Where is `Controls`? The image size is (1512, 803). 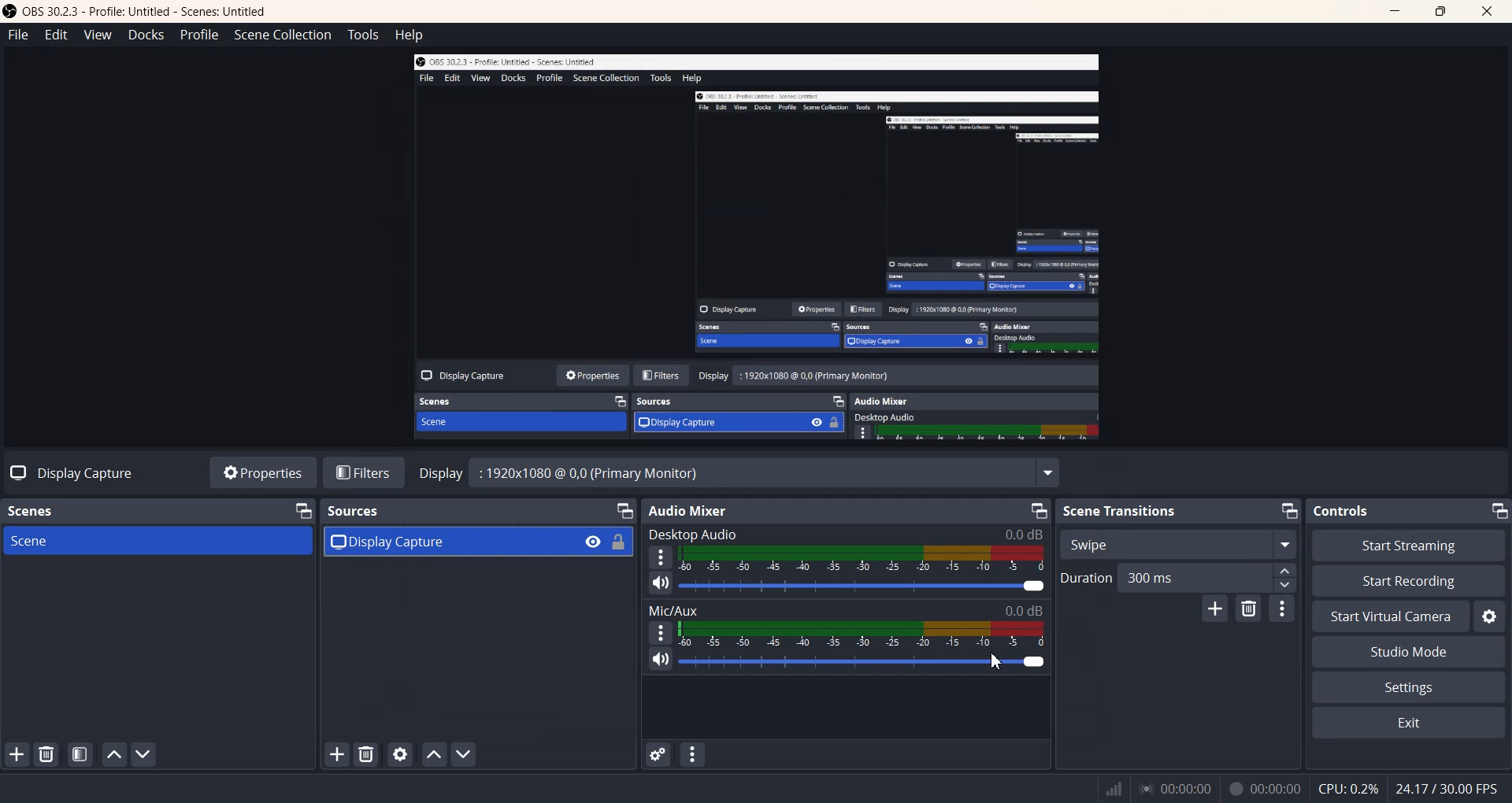 Controls is located at coordinates (1348, 510).